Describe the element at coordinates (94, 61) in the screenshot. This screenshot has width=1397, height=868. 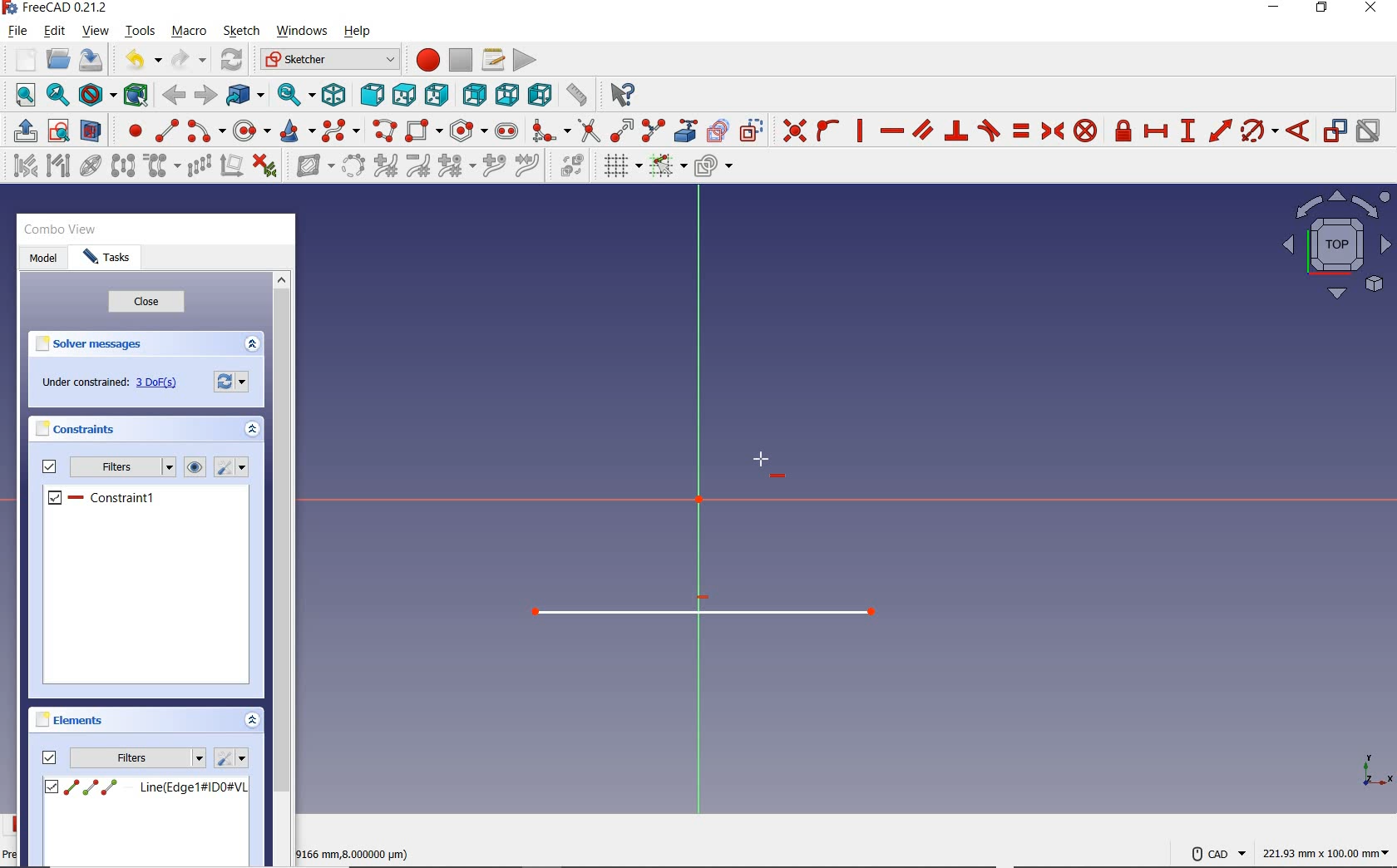
I see `SAVE` at that location.